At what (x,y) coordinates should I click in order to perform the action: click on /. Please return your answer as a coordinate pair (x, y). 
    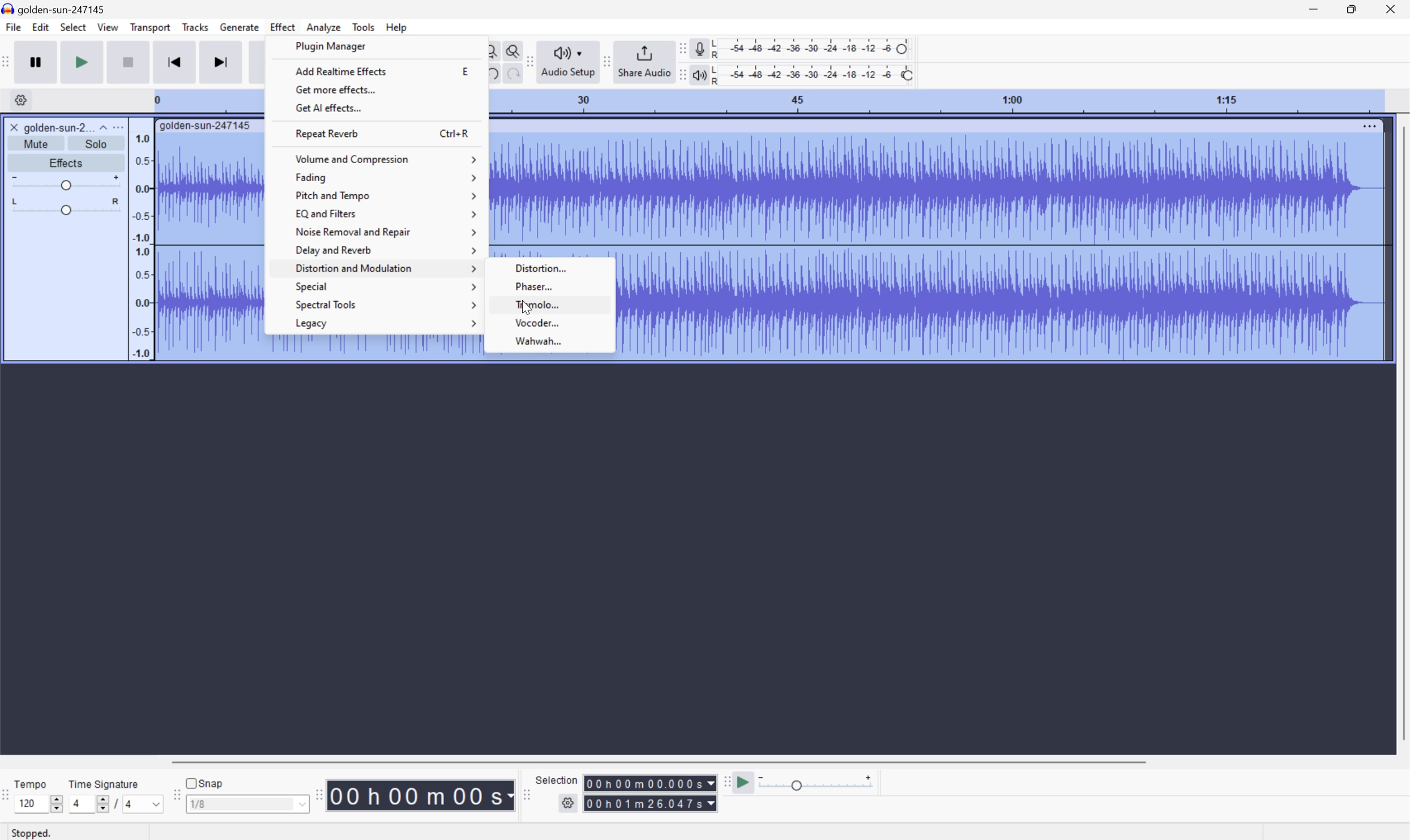
    Looking at the image, I should click on (116, 804).